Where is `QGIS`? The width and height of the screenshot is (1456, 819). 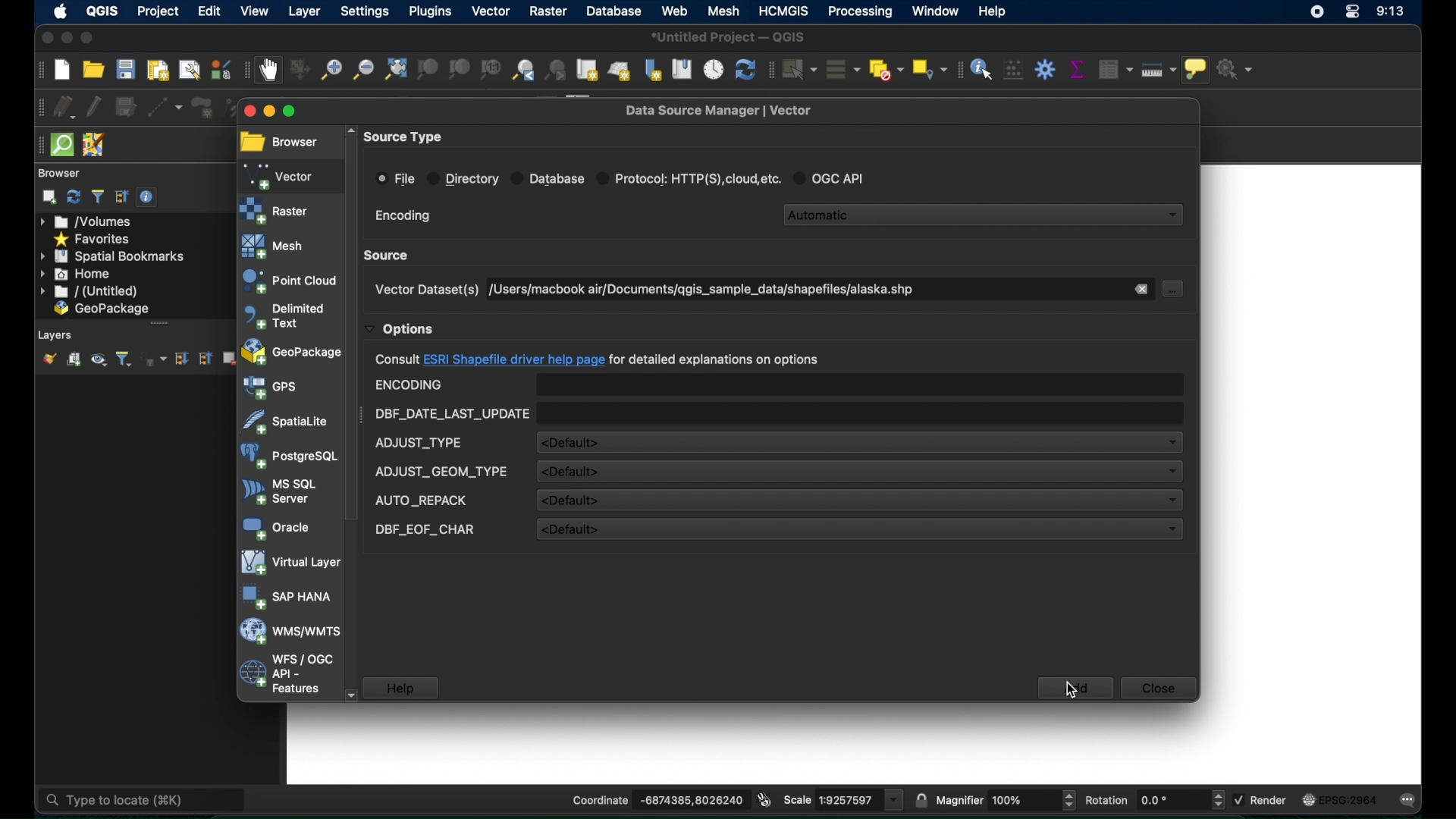
QGIS is located at coordinates (103, 11).